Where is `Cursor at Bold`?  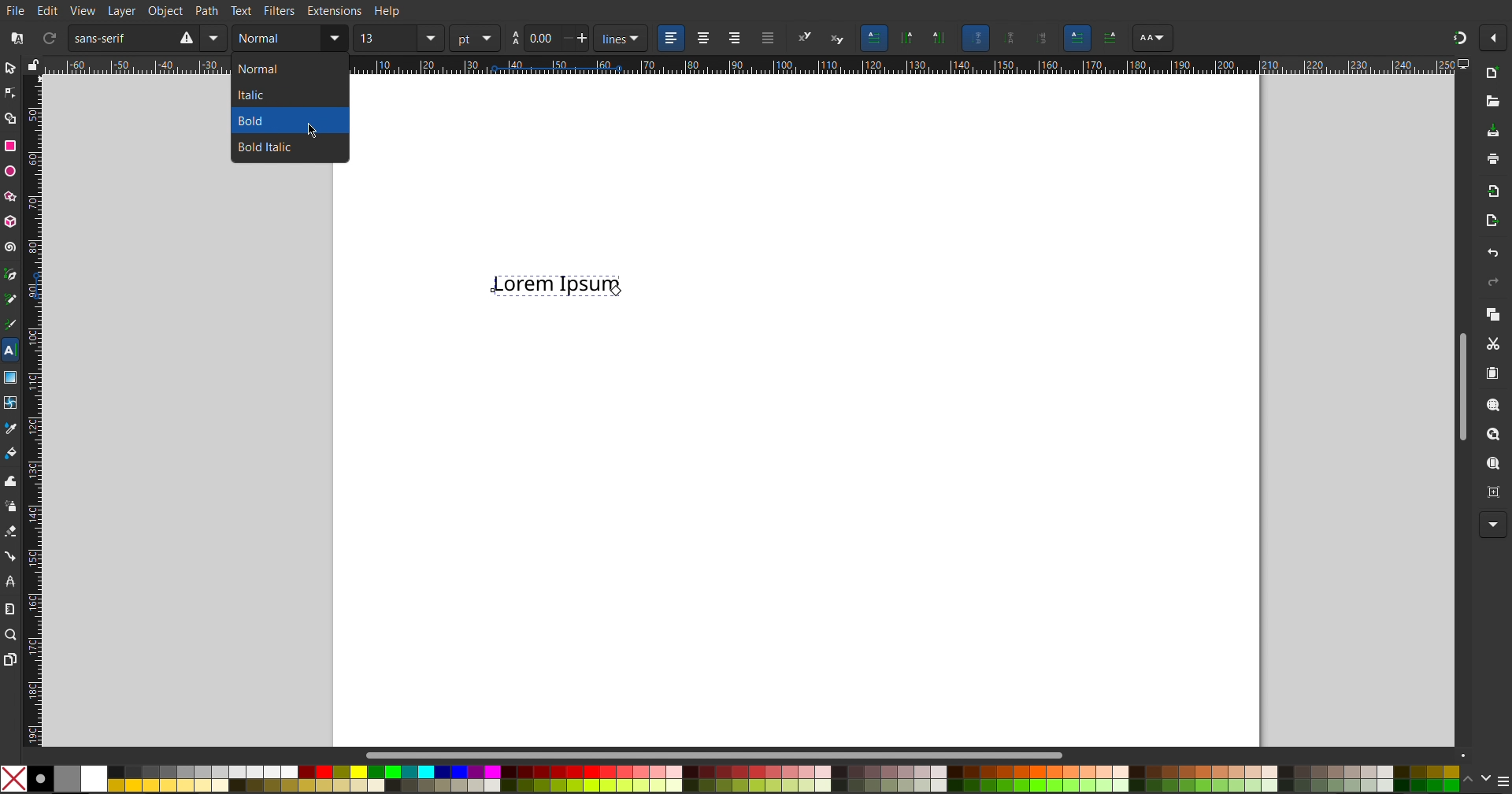 Cursor at Bold is located at coordinates (313, 128).